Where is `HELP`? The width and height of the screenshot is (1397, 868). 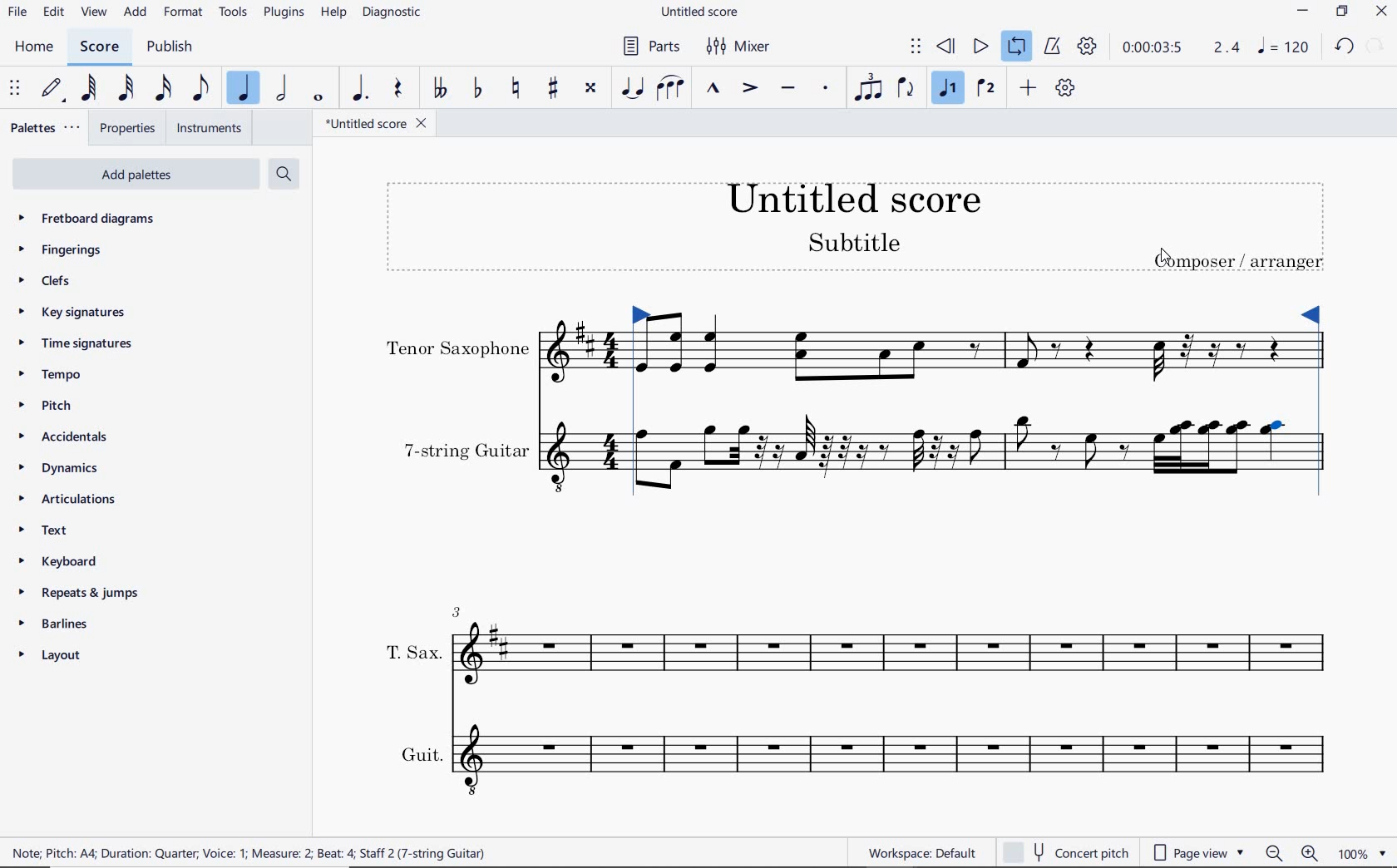 HELP is located at coordinates (332, 13).